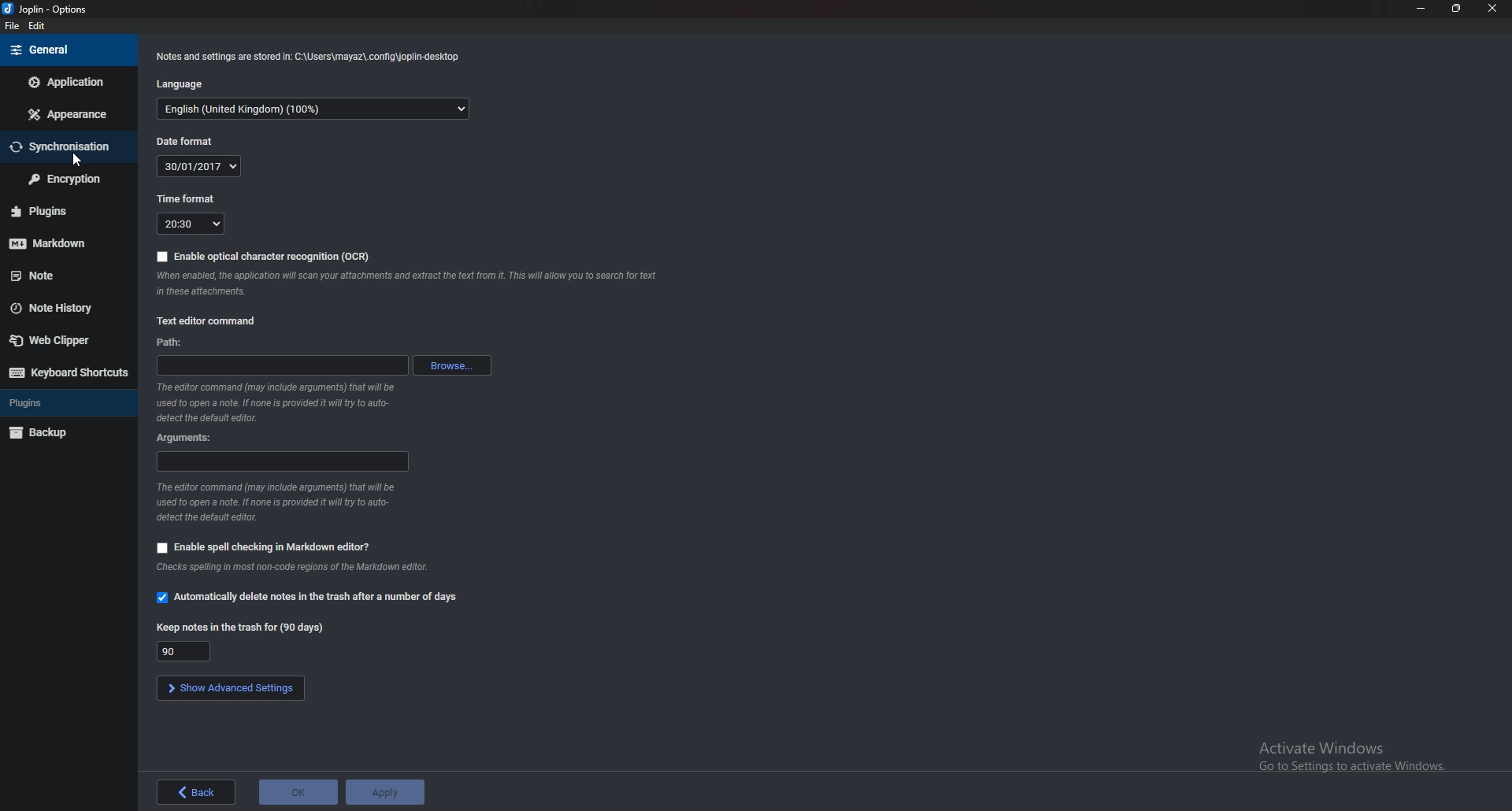  Describe the element at coordinates (57, 403) in the screenshot. I see `plugins` at that location.